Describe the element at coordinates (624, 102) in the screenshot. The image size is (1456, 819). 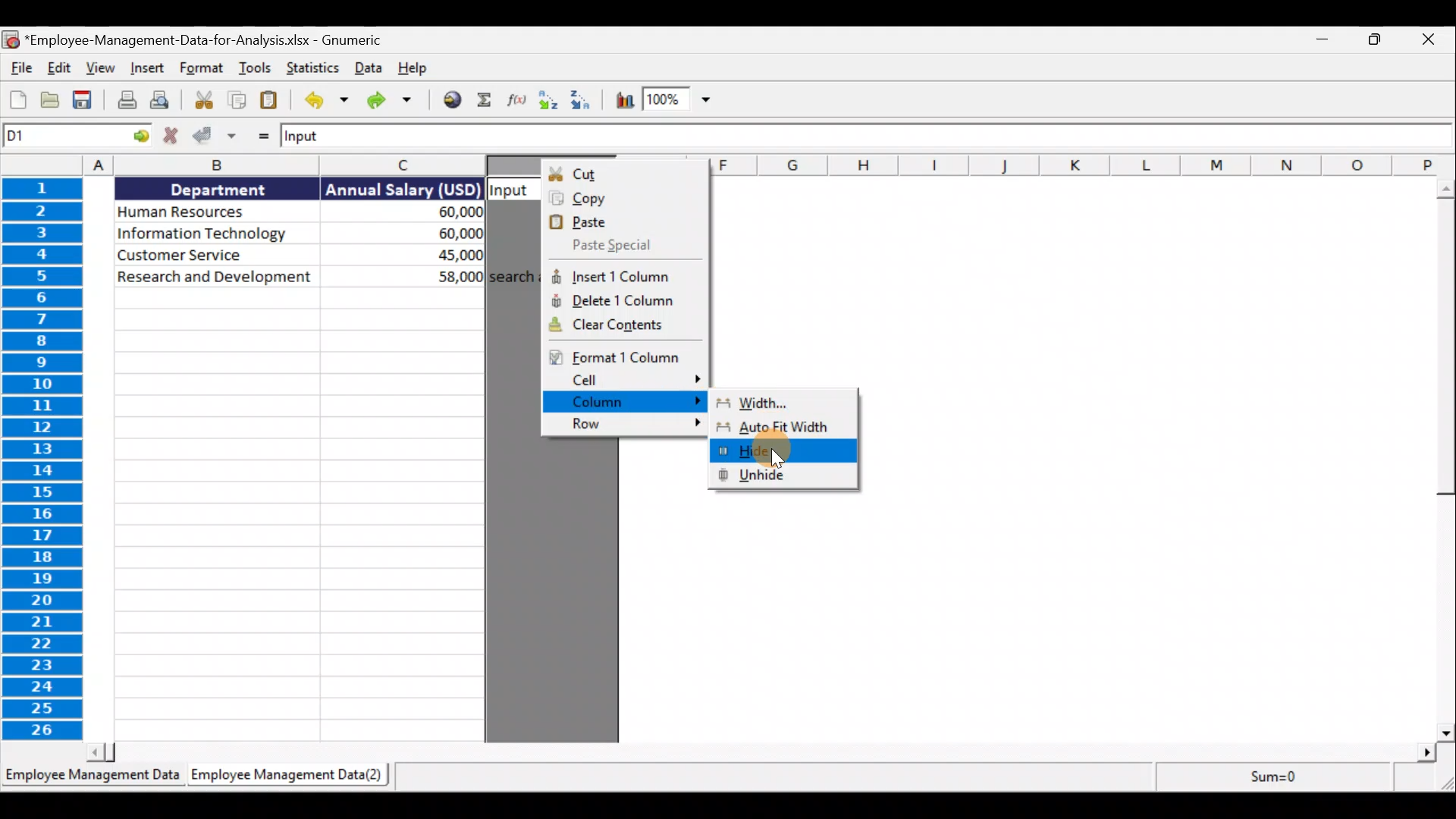
I see `Insert a chart` at that location.